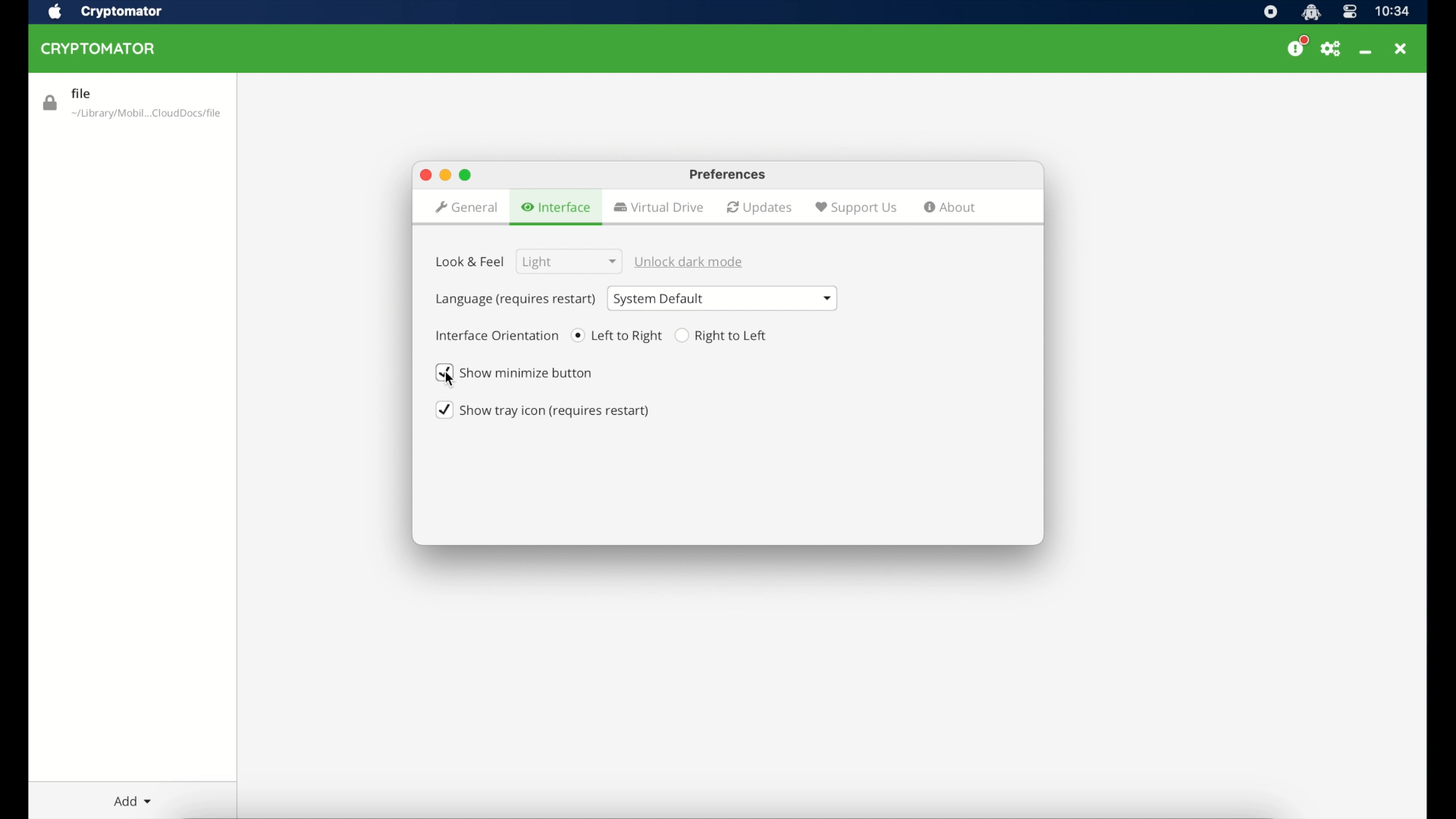  Describe the element at coordinates (515, 300) in the screenshot. I see `language` at that location.